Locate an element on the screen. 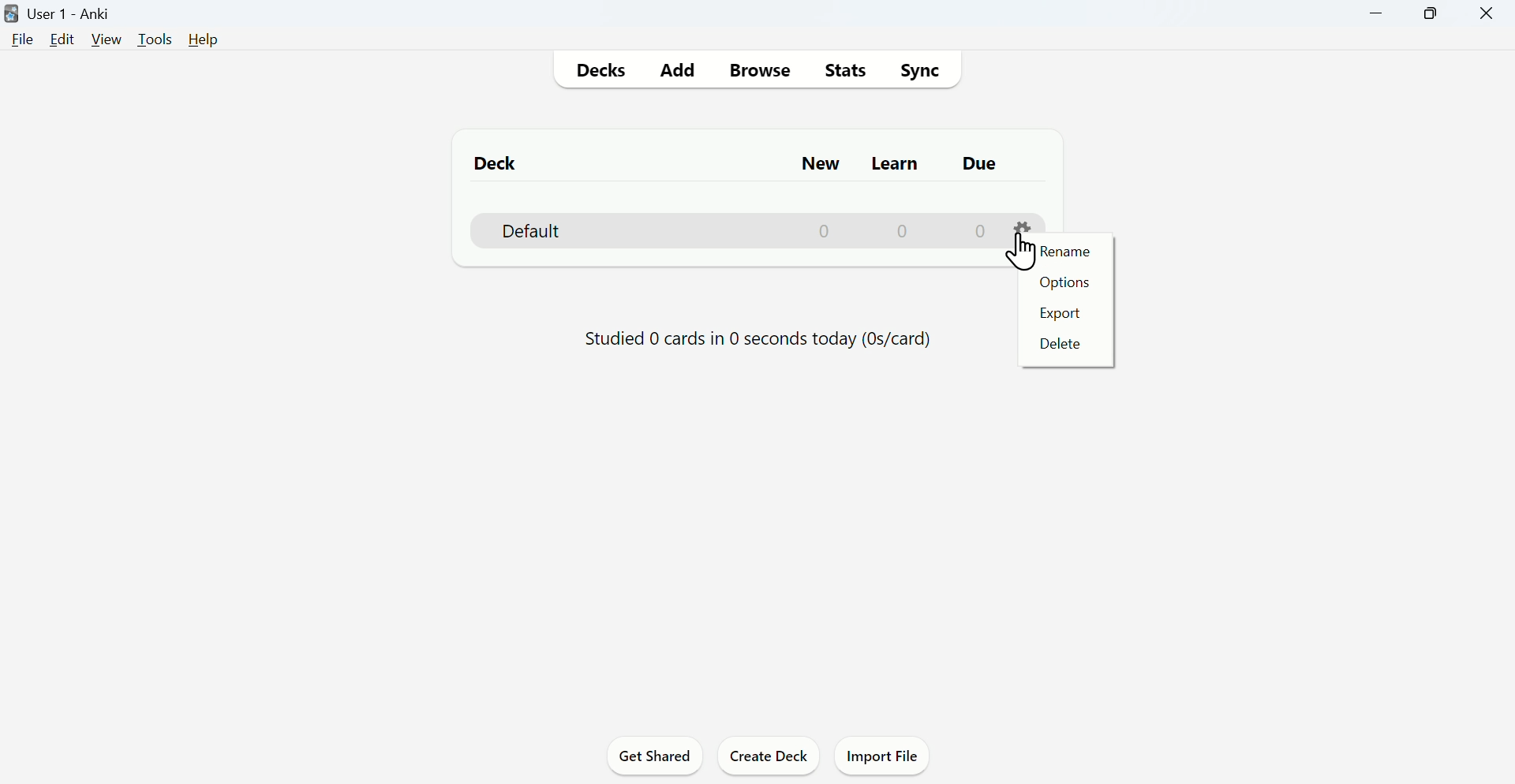 This screenshot has width=1515, height=784. Delete is located at coordinates (1060, 343).